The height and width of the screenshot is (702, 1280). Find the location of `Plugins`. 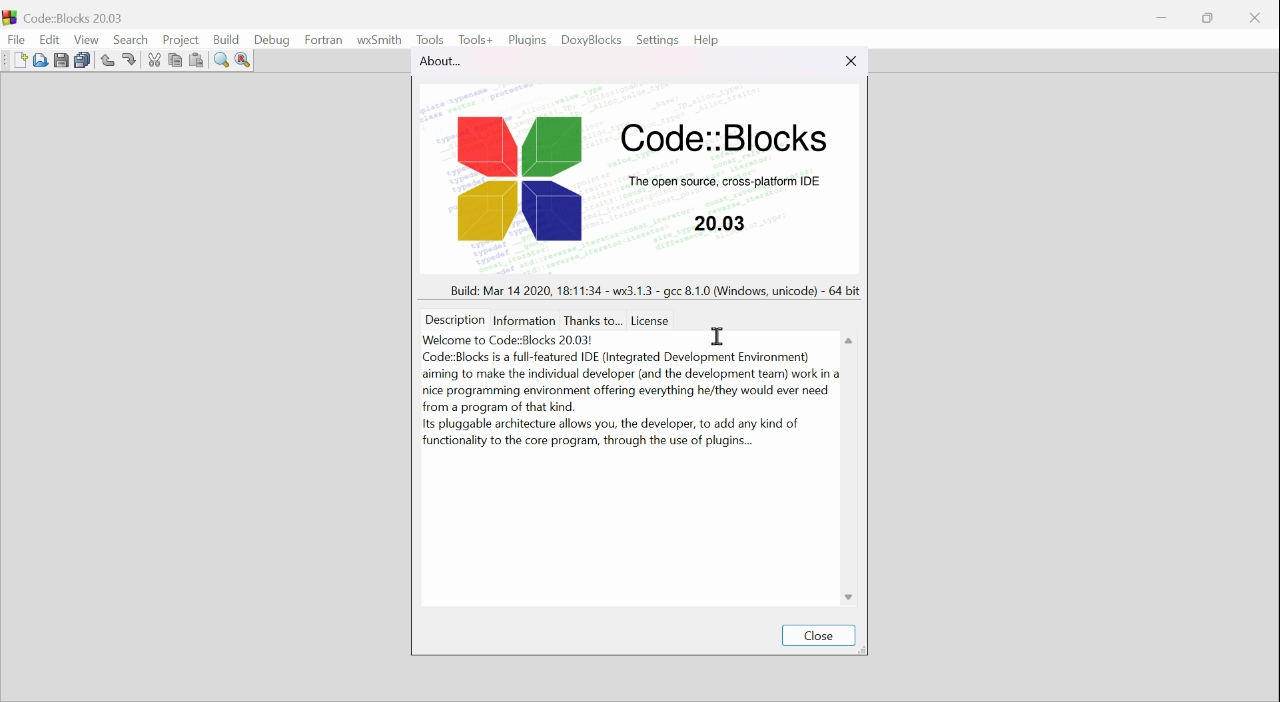

Plugins is located at coordinates (530, 41).